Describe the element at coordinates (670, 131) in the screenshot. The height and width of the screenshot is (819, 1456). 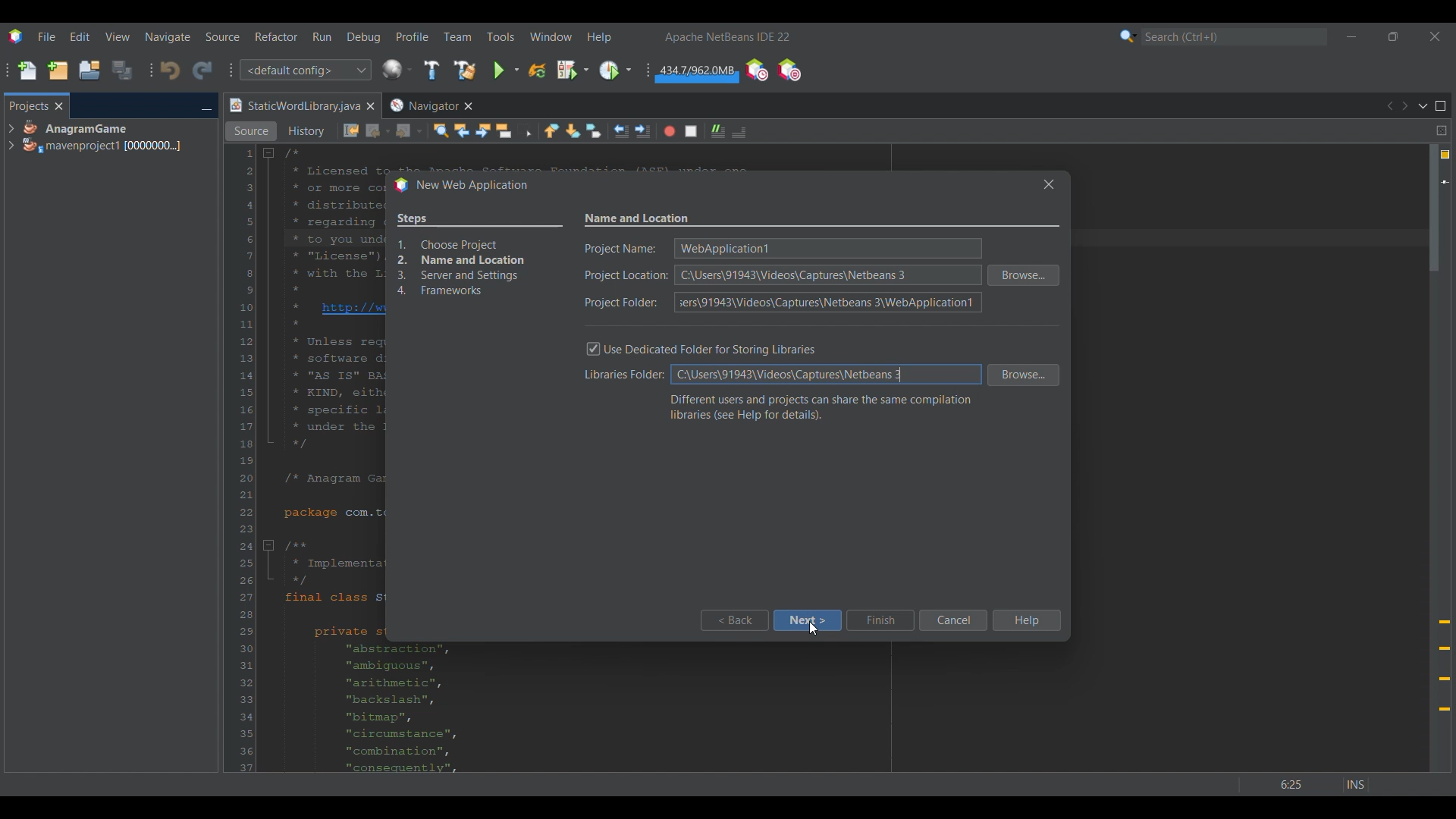
I see `Start macro recording` at that location.